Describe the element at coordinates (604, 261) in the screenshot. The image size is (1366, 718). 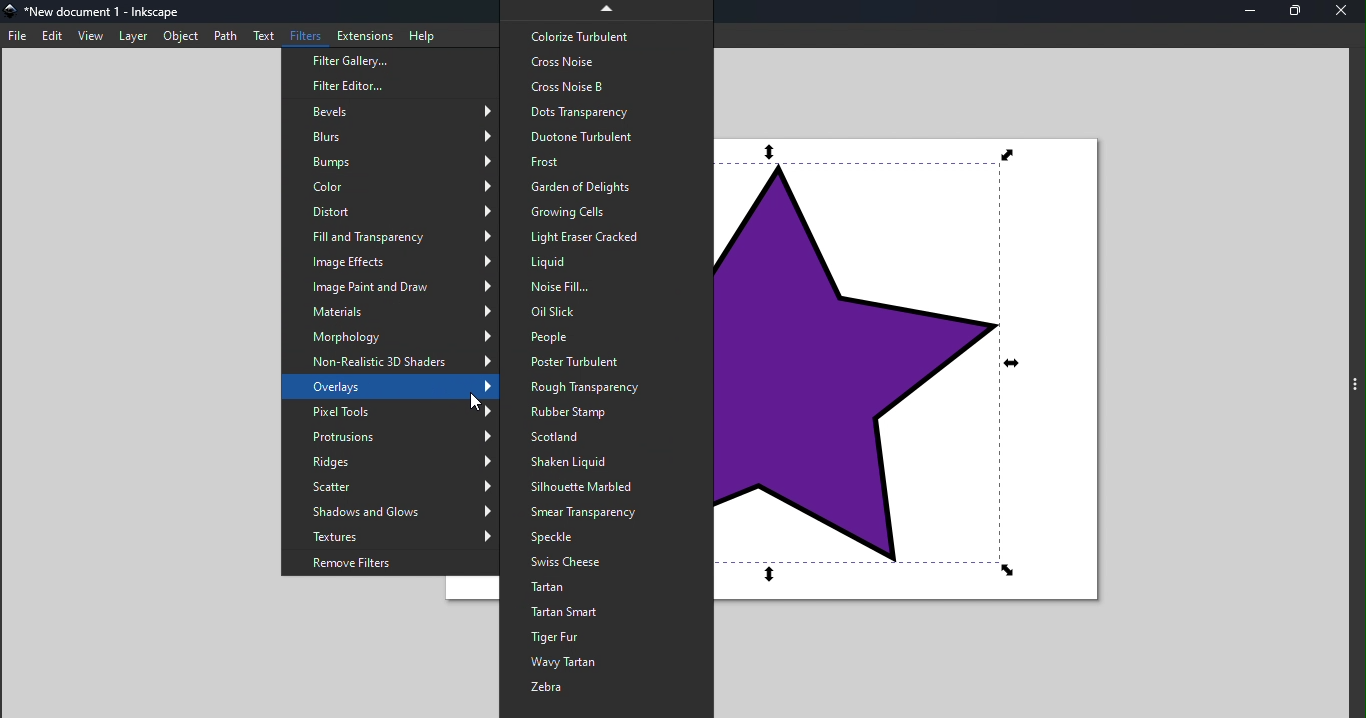
I see `Liquid` at that location.